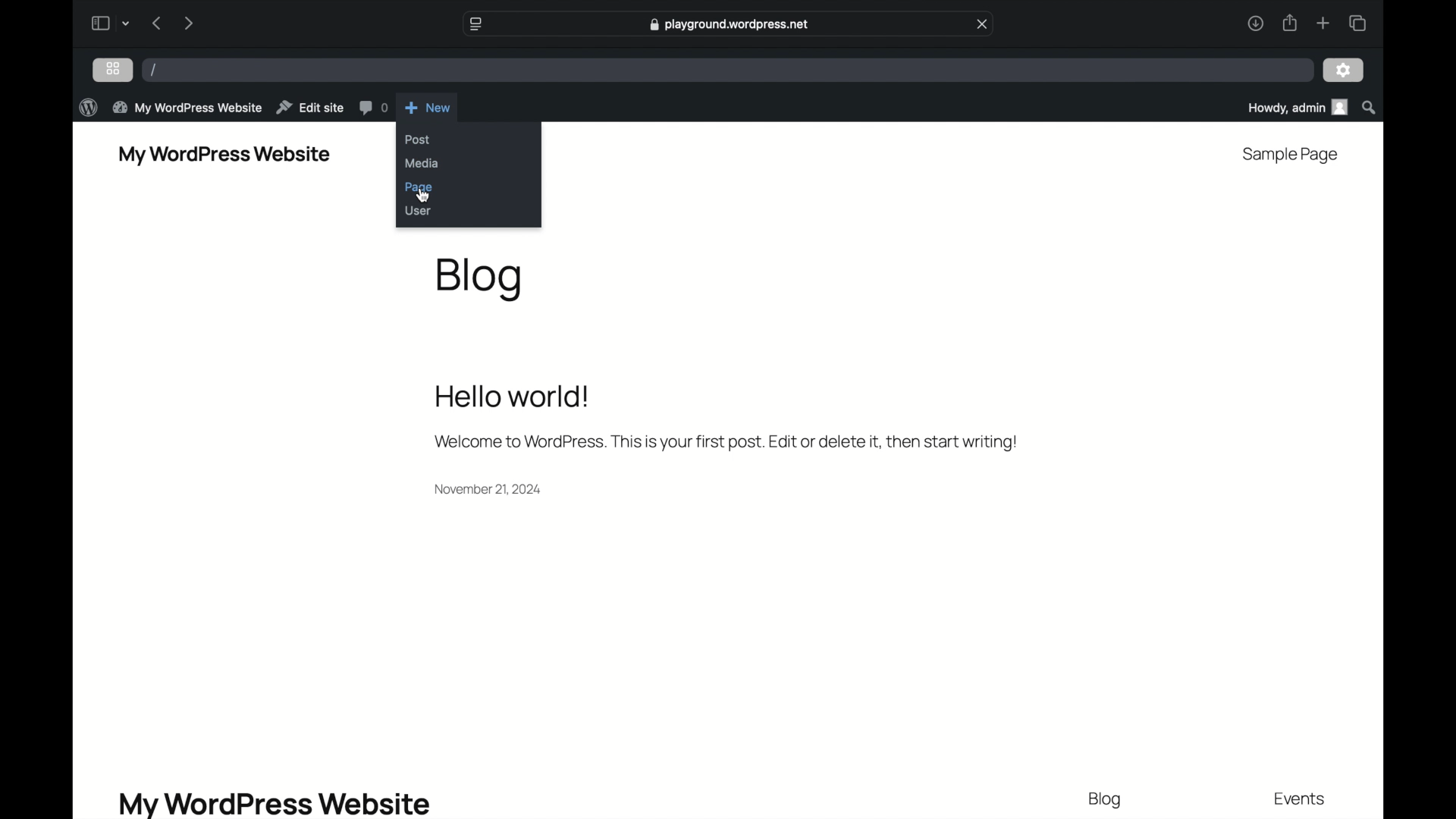  Describe the element at coordinates (1369, 107) in the screenshot. I see `search` at that location.